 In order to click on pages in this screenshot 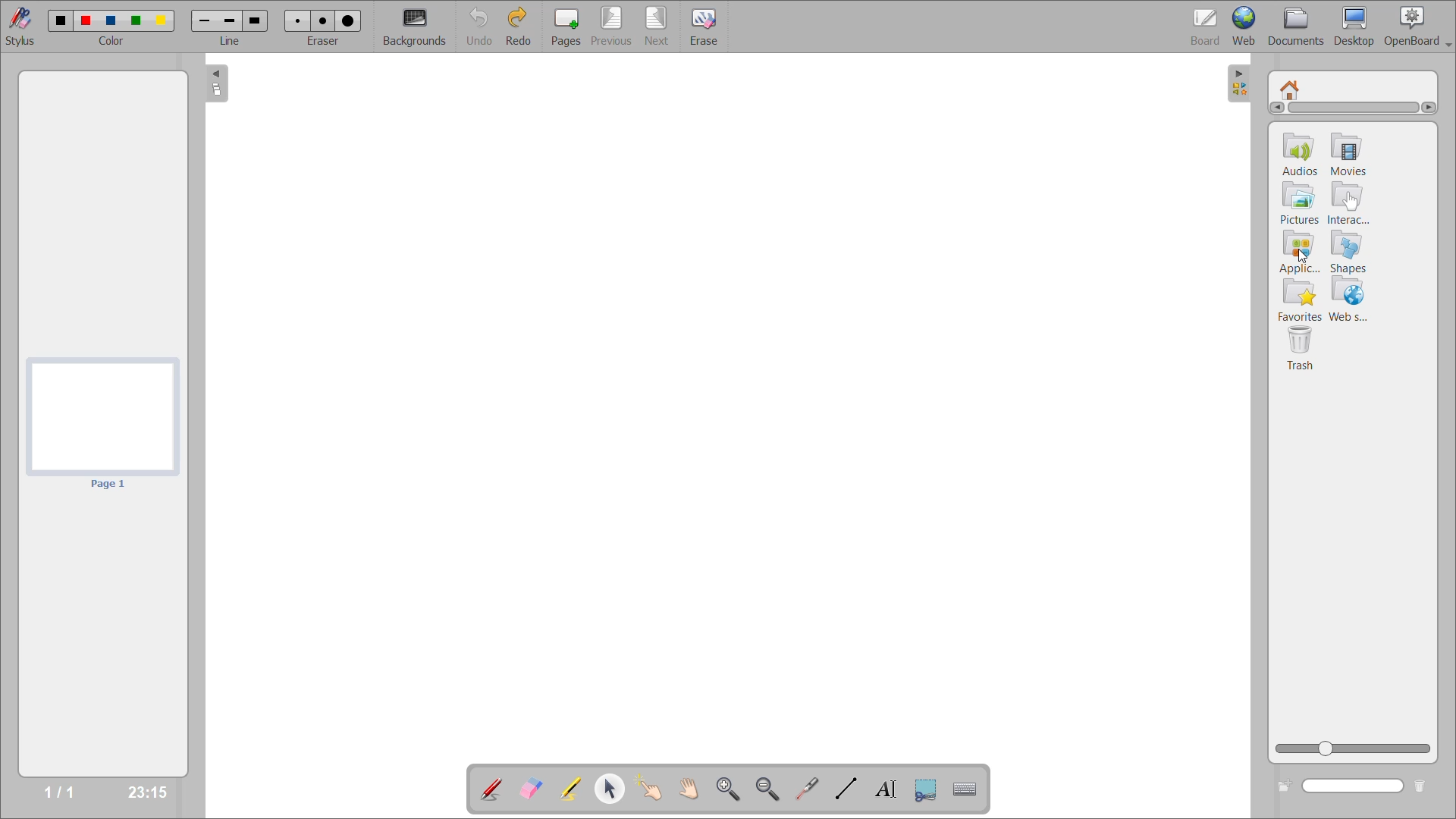, I will do `click(570, 24)`.